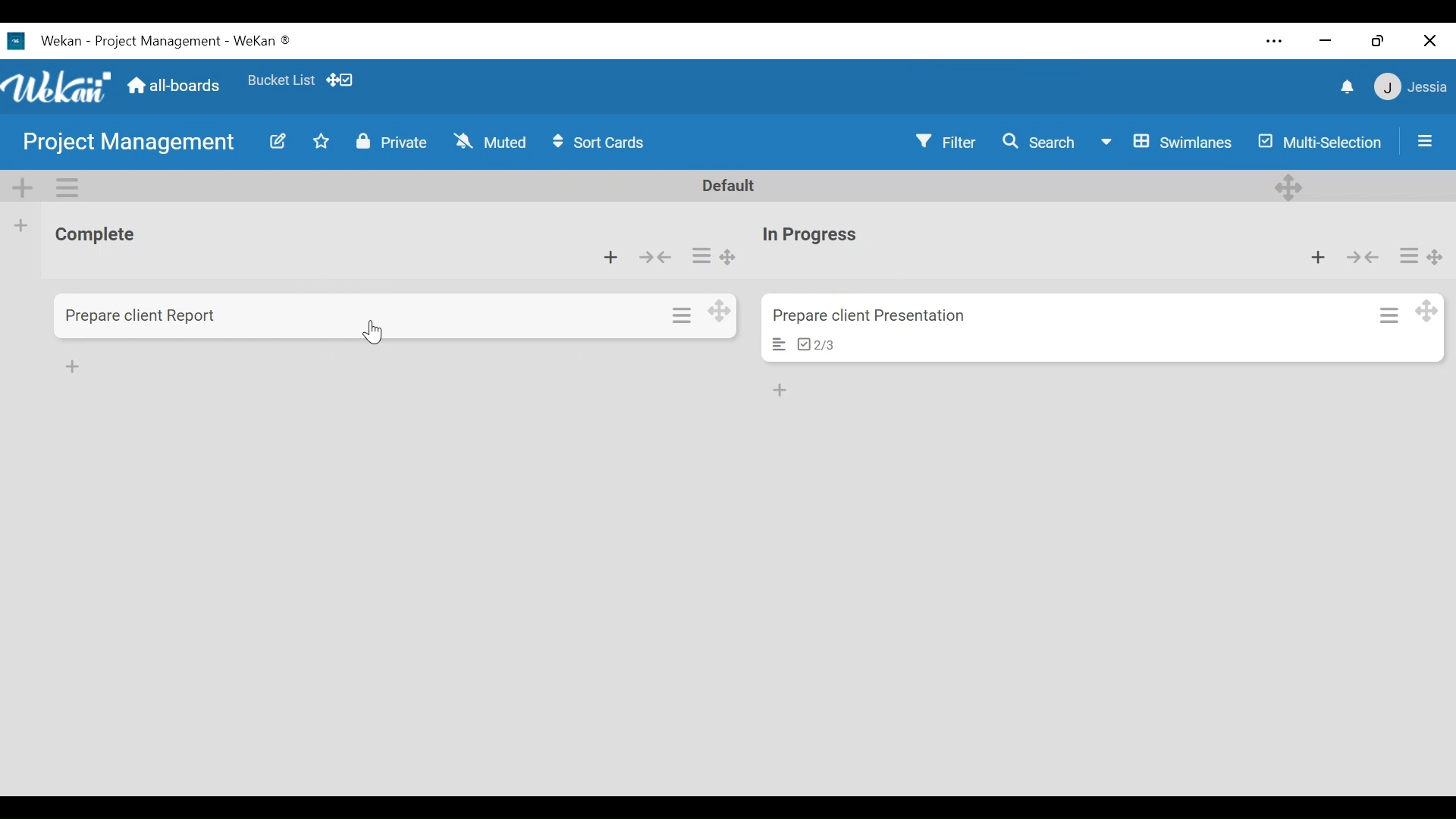  I want to click on Collapse, so click(657, 259).